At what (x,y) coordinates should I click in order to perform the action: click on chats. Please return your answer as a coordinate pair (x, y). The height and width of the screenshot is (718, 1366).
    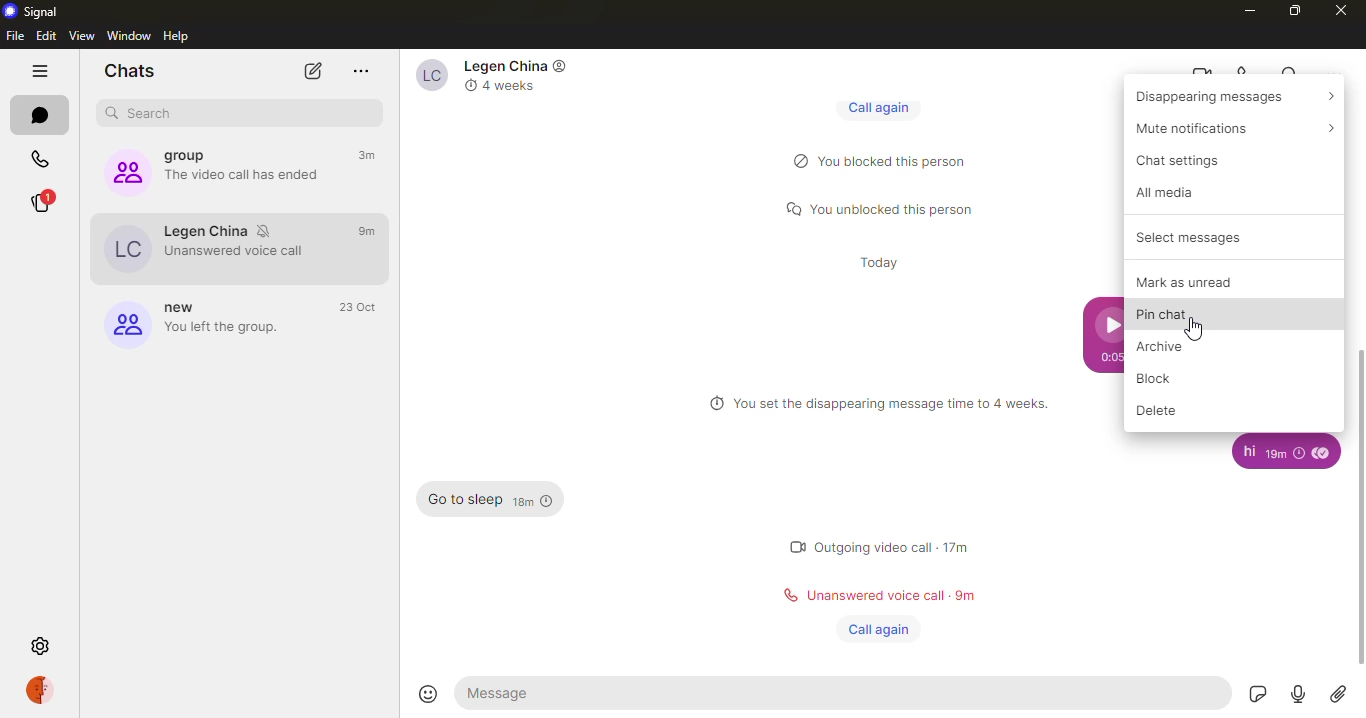
    Looking at the image, I should click on (127, 71).